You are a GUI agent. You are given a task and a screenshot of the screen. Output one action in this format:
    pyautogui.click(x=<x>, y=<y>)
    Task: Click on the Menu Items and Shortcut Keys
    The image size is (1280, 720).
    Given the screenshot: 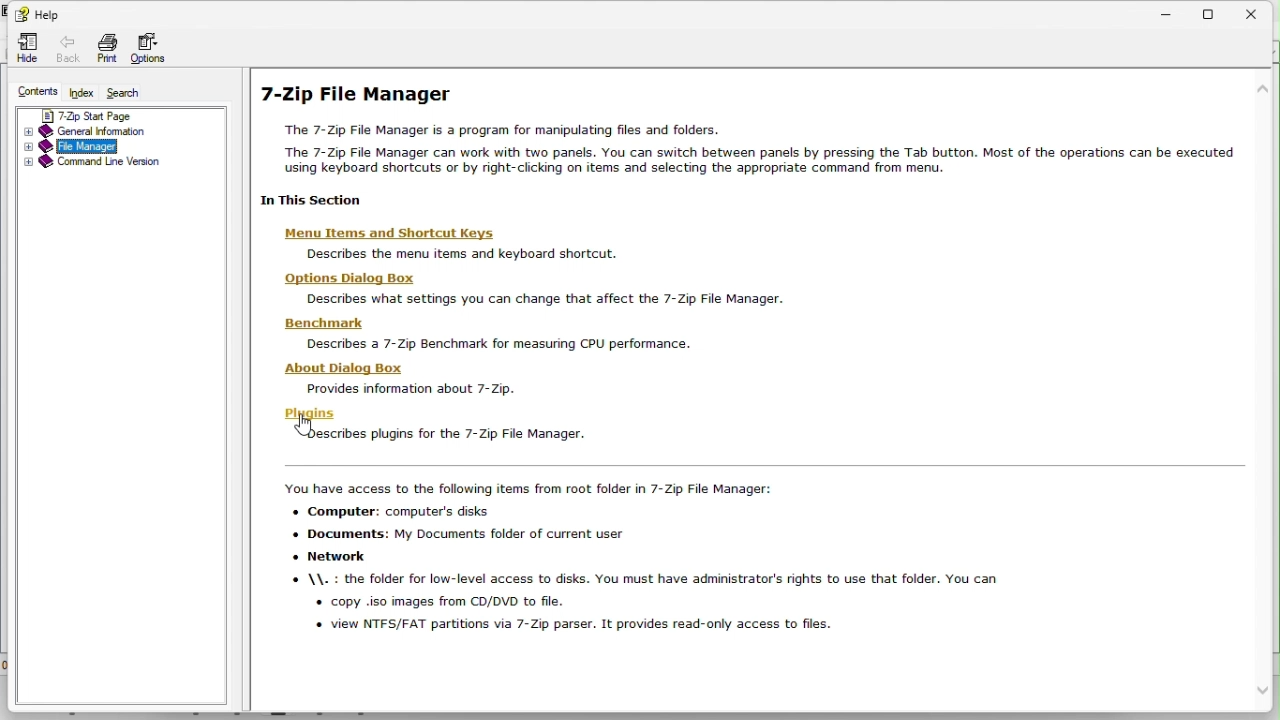 What is the action you would take?
    pyautogui.click(x=399, y=233)
    